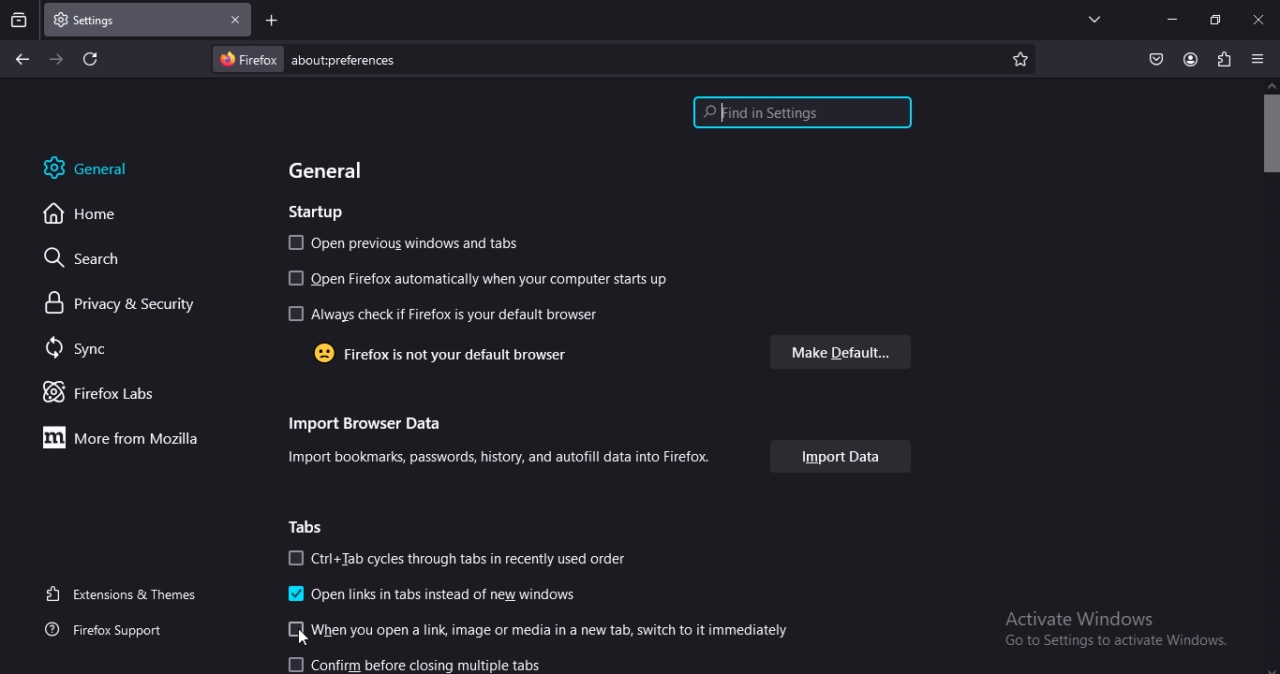 The image size is (1280, 674). I want to click on scrollbar, so click(1268, 129).